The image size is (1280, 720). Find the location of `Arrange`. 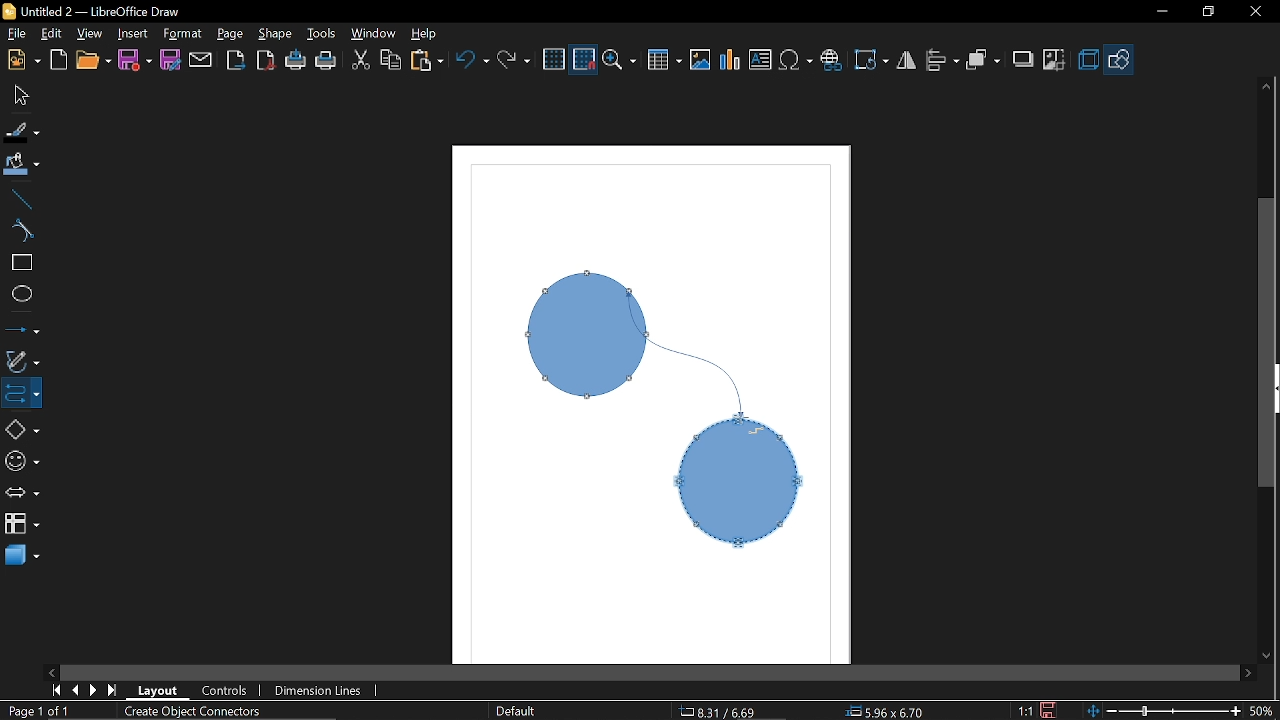

Arrange is located at coordinates (984, 61).